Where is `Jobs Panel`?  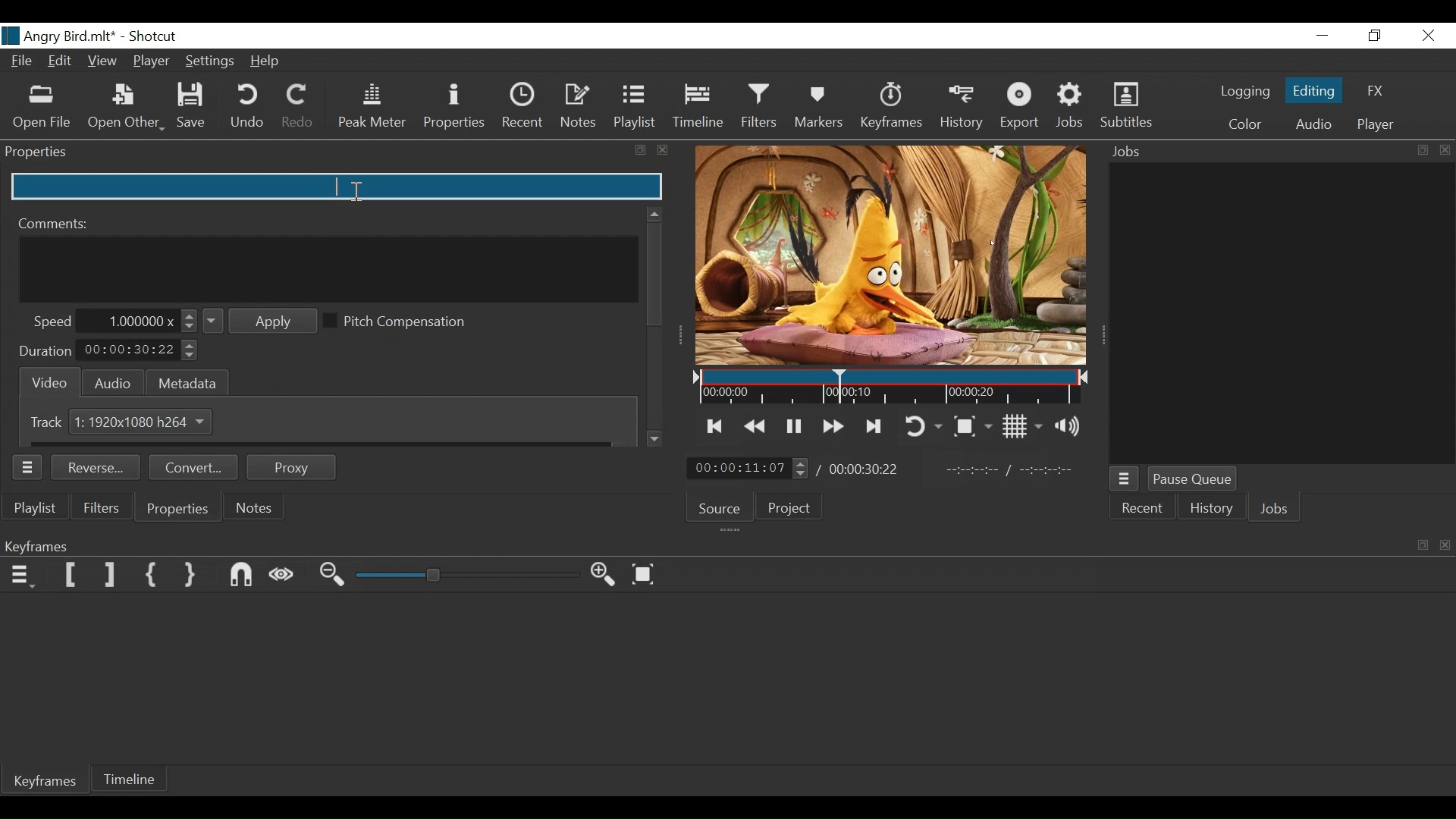 Jobs Panel is located at coordinates (1278, 310).